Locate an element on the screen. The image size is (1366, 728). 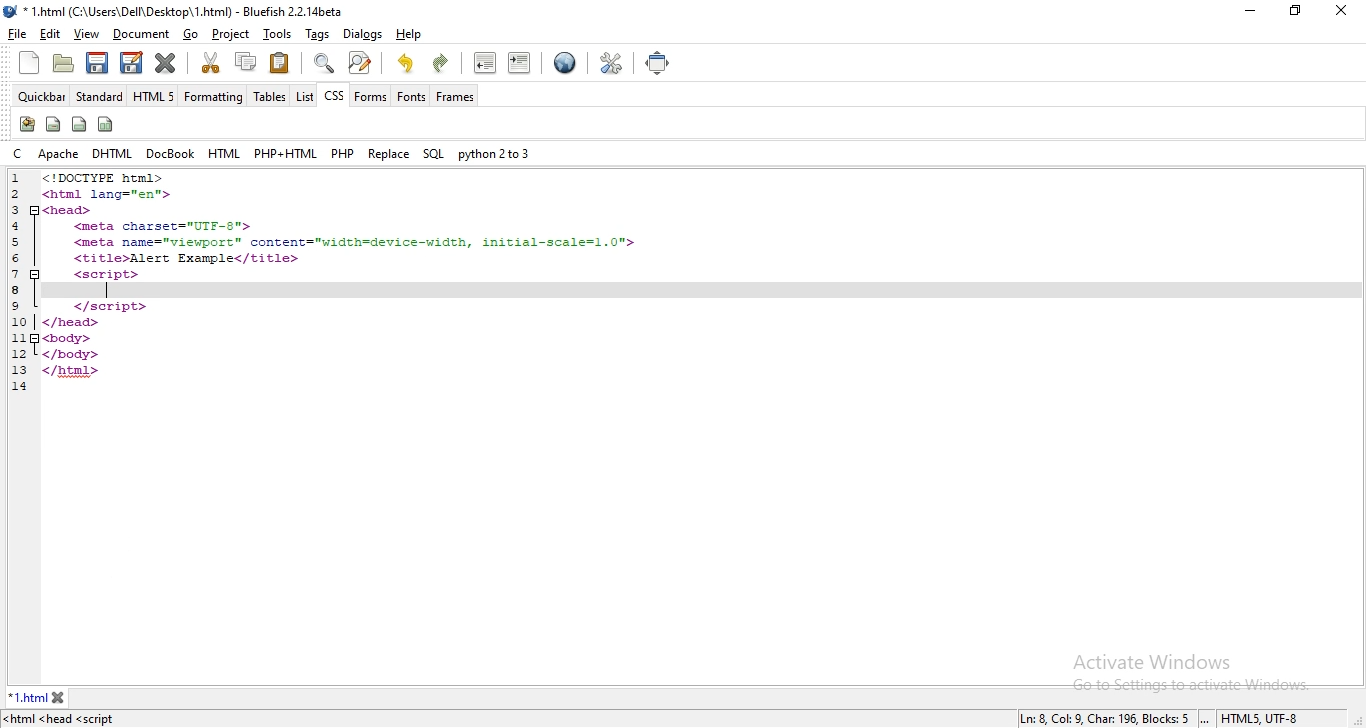
replace is located at coordinates (388, 153).